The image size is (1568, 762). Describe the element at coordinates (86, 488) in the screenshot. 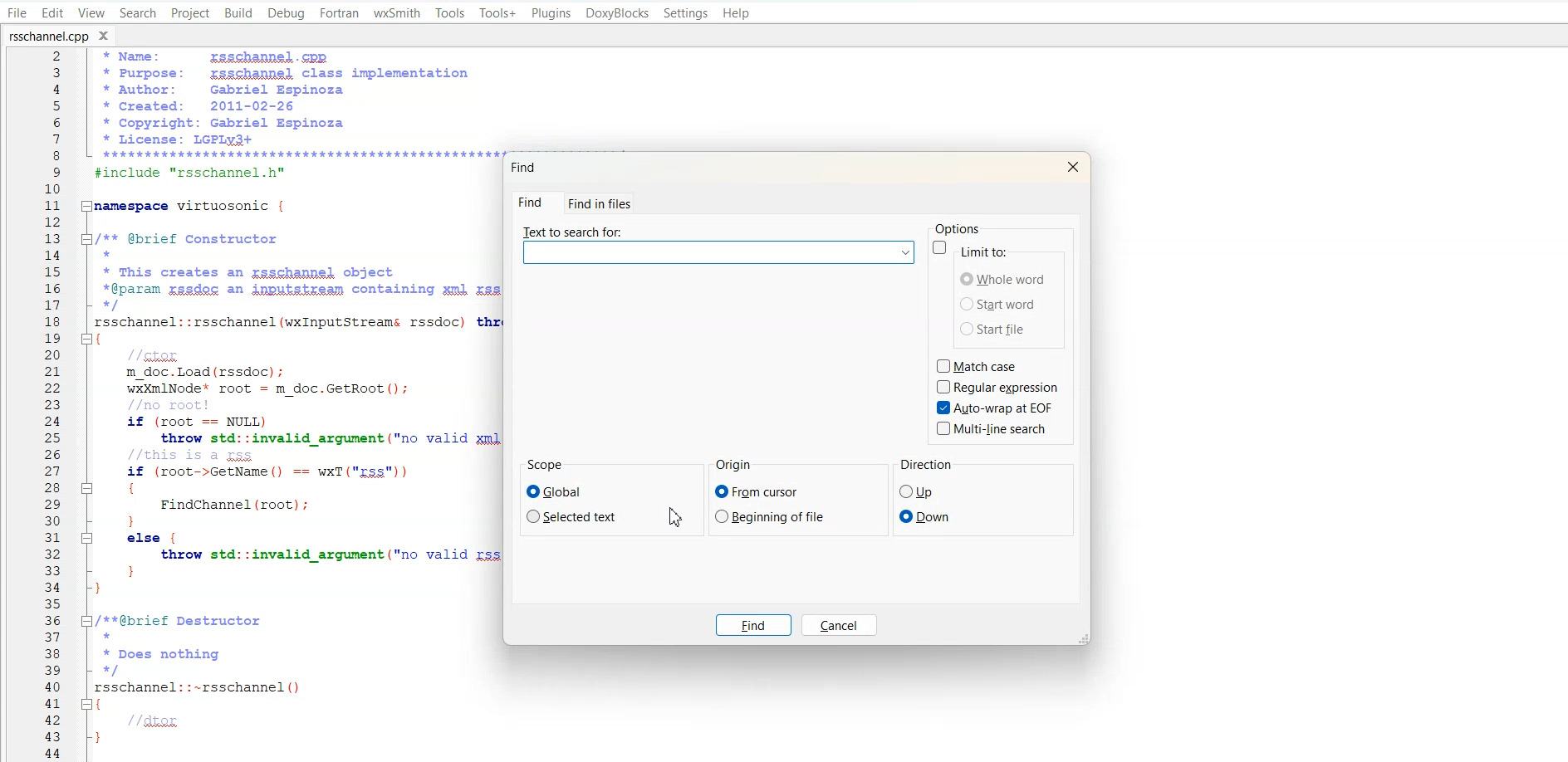

I see `Collapse` at that location.